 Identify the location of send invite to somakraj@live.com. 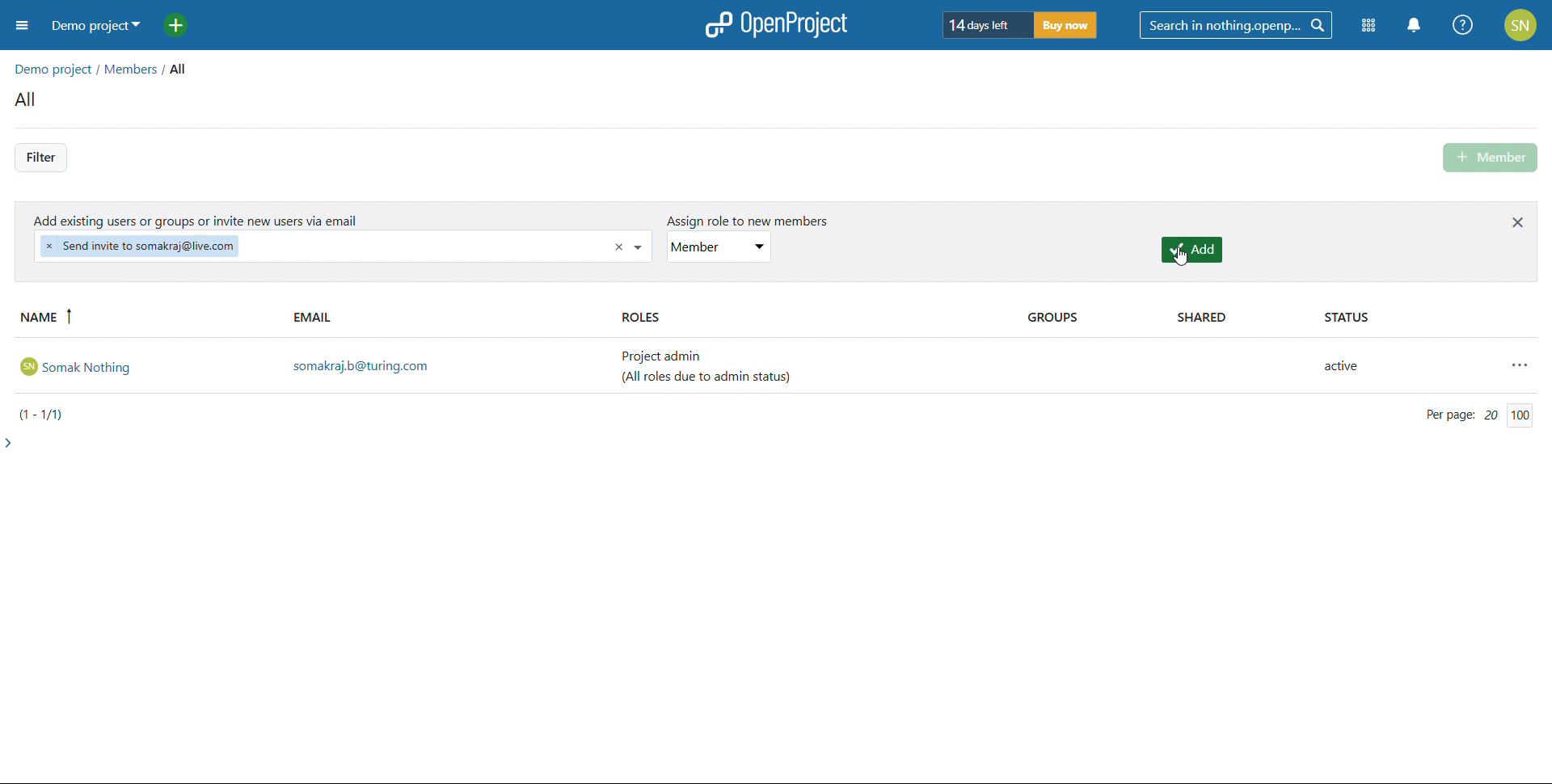
(140, 246).